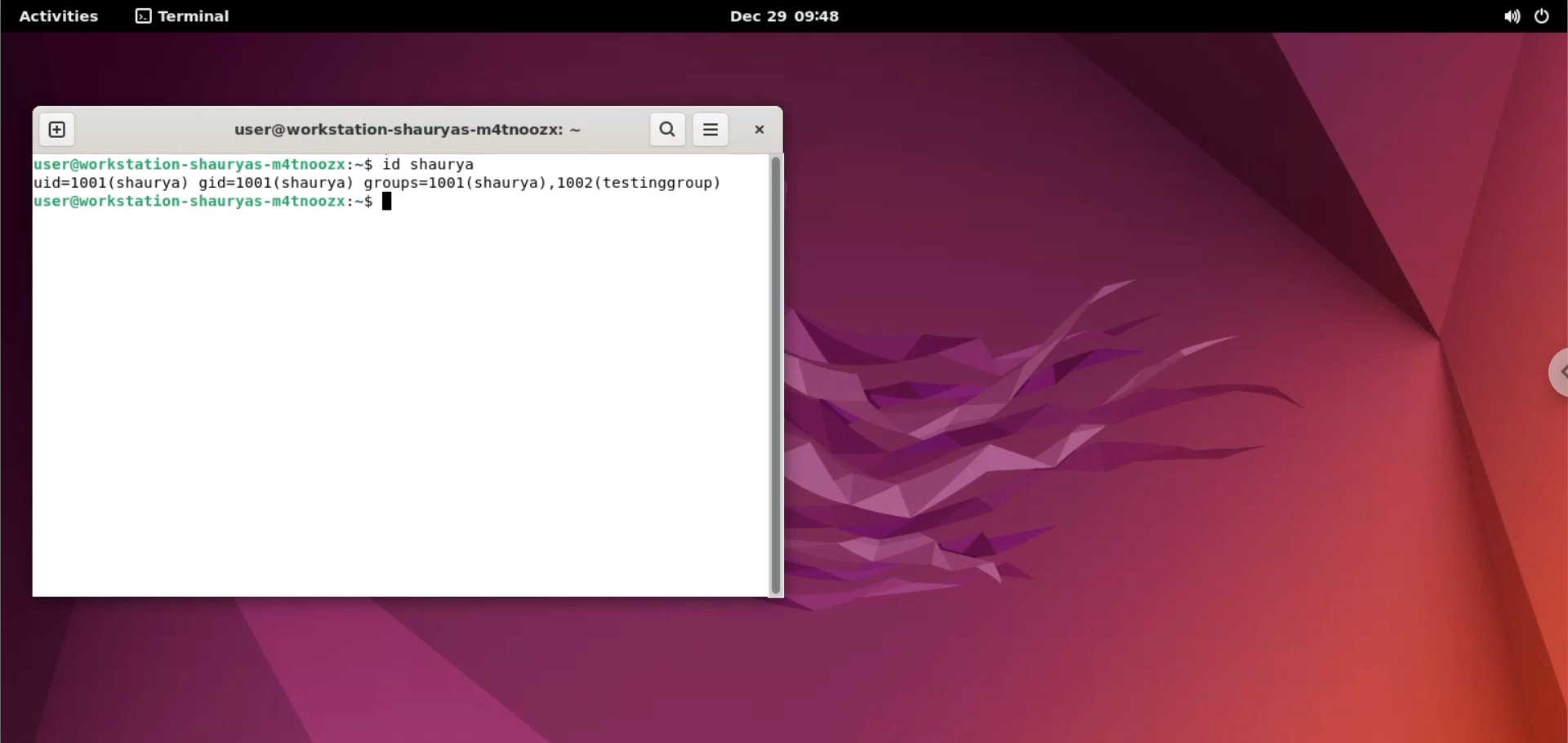 This screenshot has width=1568, height=743. What do you see at coordinates (1548, 17) in the screenshot?
I see `power option` at bounding box center [1548, 17].